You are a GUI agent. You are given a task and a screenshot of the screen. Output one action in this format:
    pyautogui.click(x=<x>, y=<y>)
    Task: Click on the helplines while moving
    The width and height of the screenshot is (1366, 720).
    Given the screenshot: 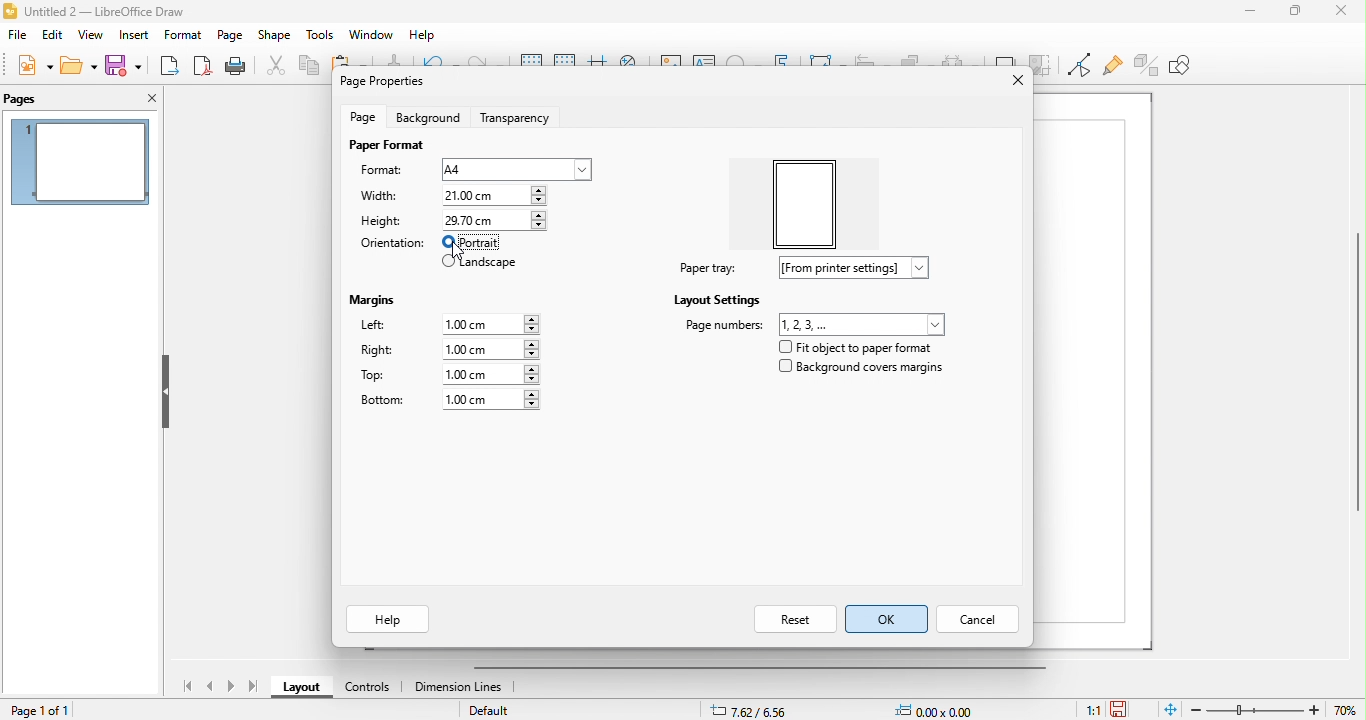 What is the action you would take?
    pyautogui.click(x=595, y=65)
    